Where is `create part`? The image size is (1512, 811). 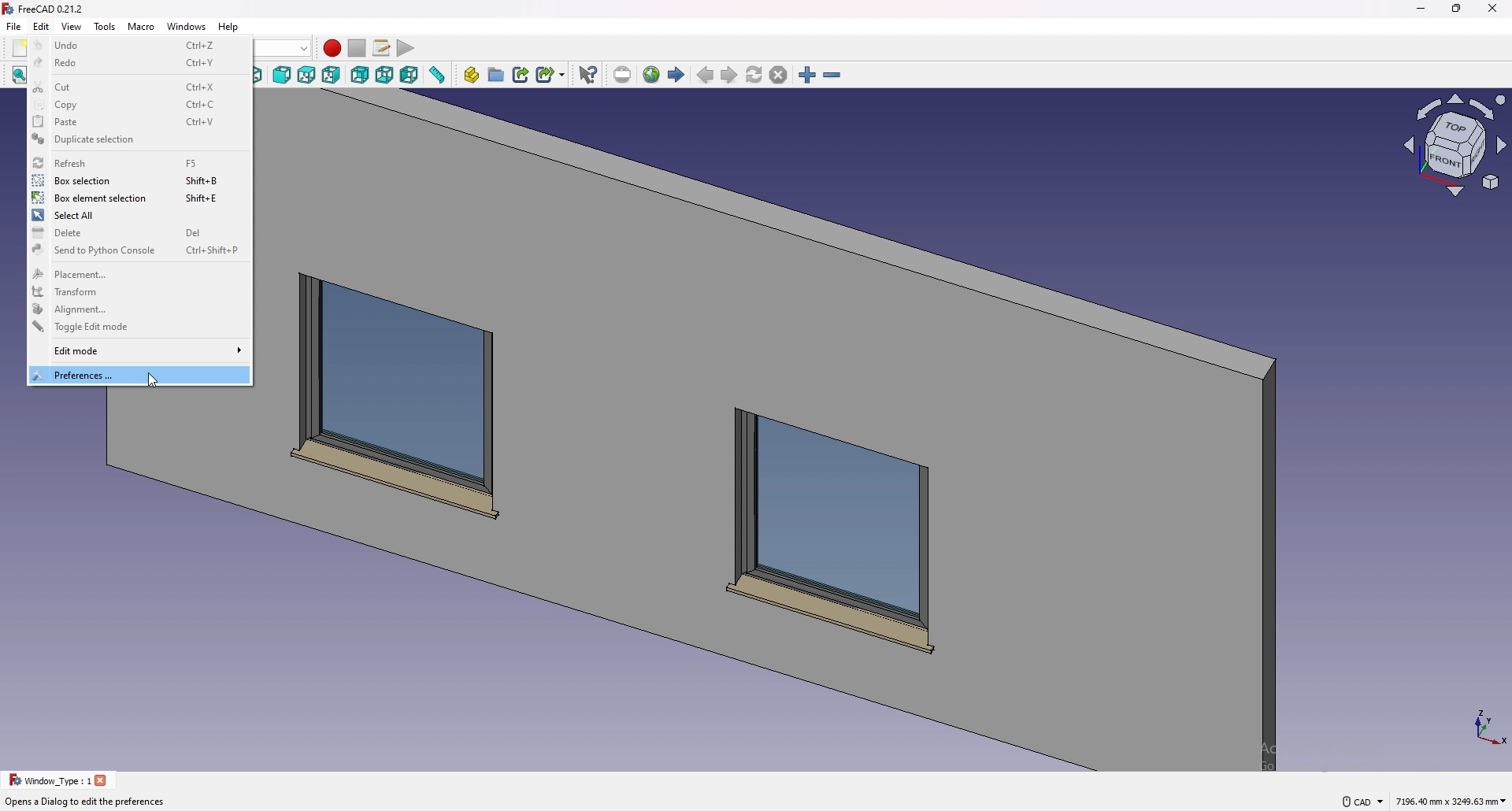
create part is located at coordinates (472, 75).